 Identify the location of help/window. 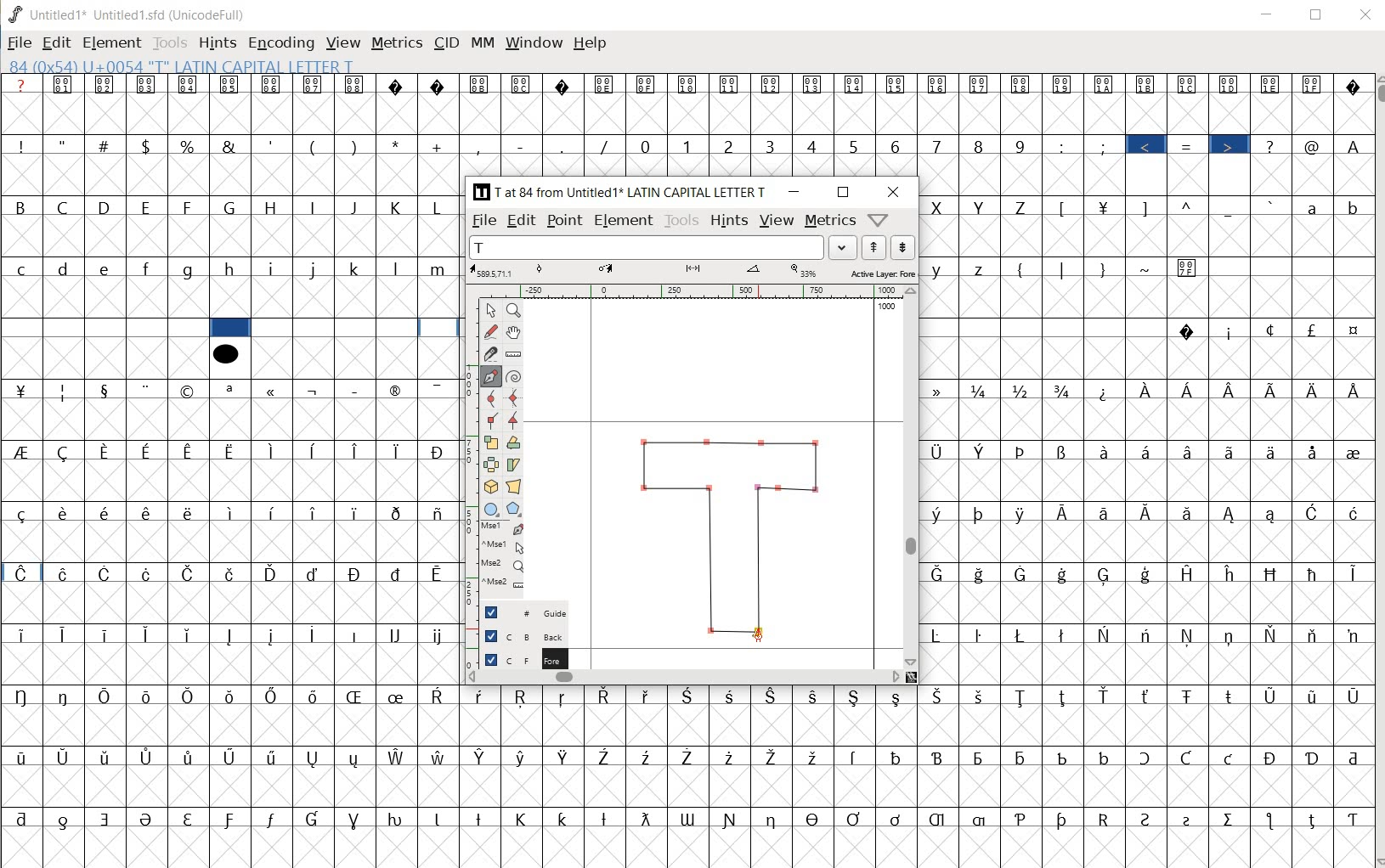
(878, 220).